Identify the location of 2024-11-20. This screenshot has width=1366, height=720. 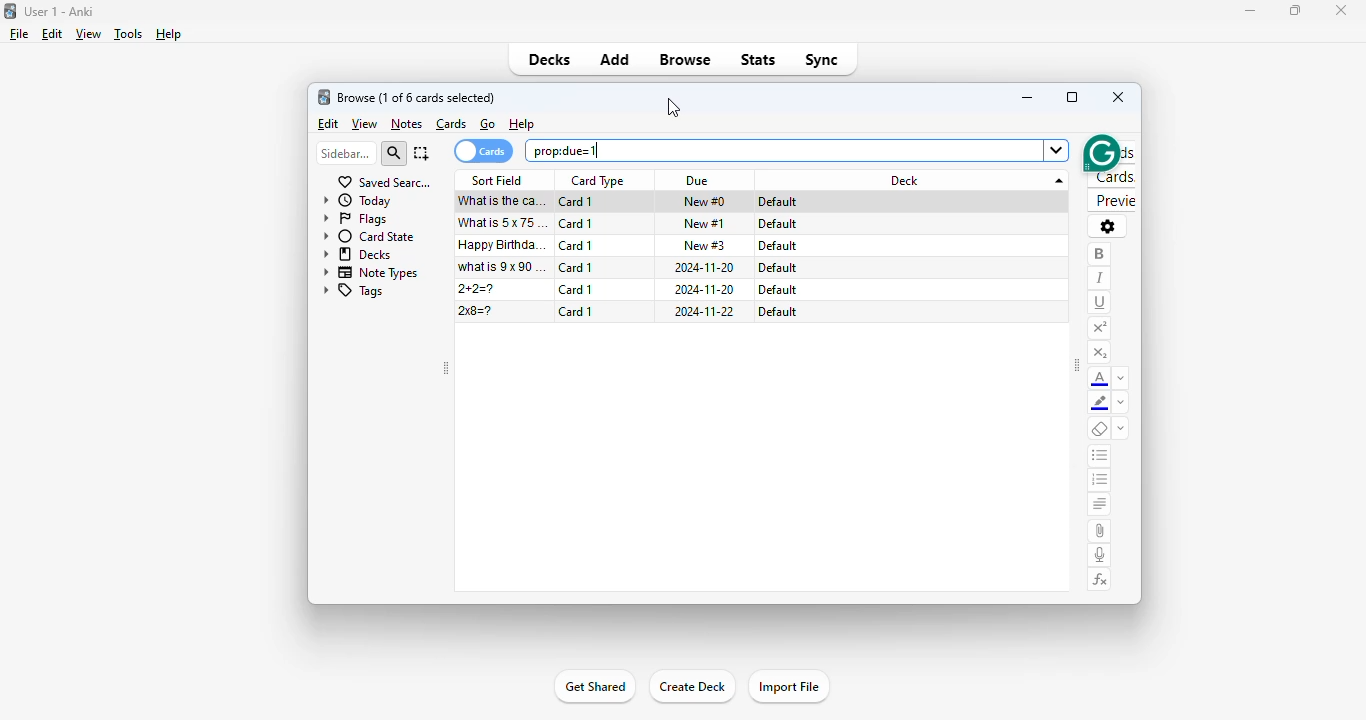
(705, 290).